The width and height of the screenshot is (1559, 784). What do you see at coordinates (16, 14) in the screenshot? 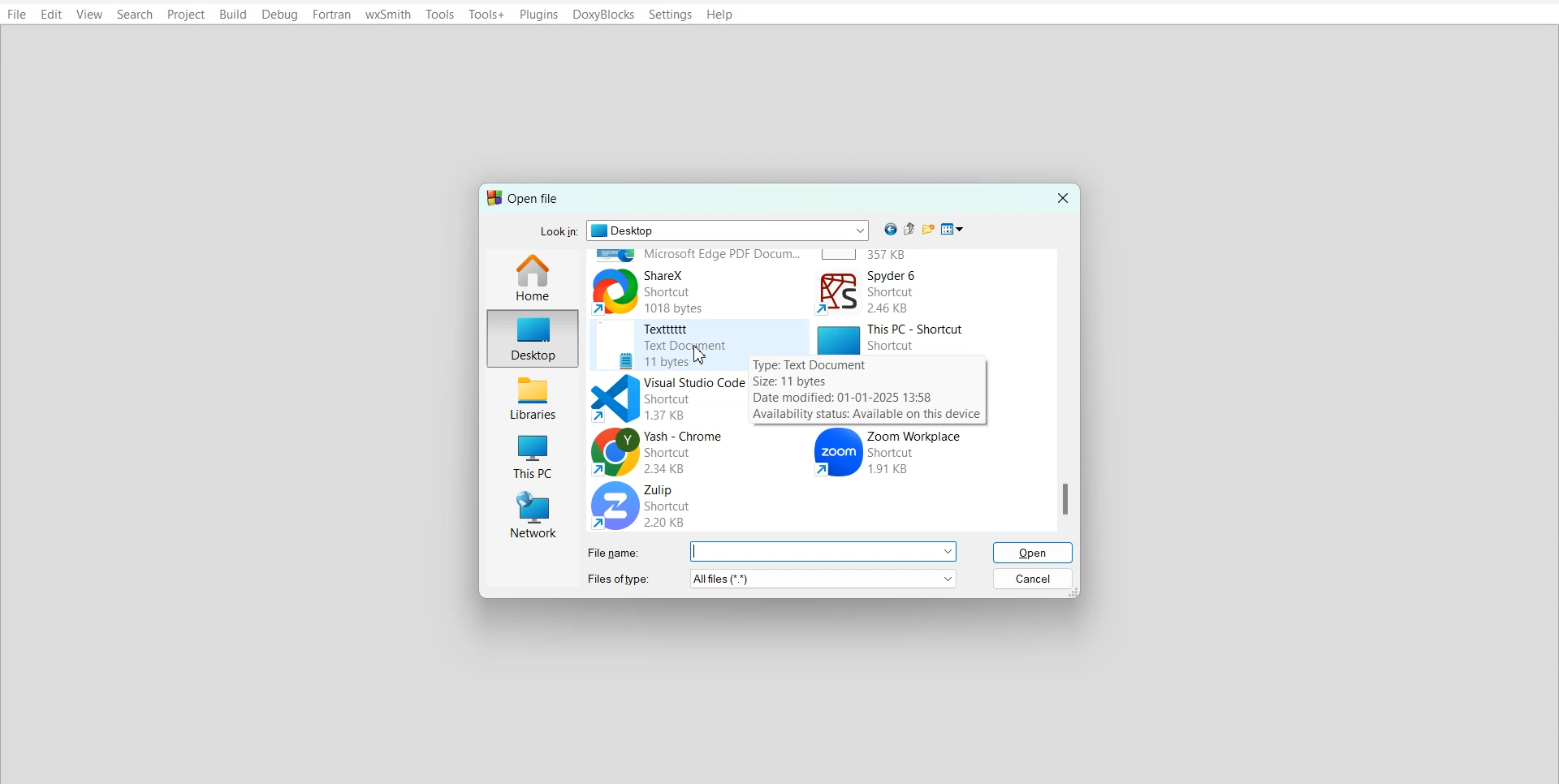
I see `File` at bounding box center [16, 14].